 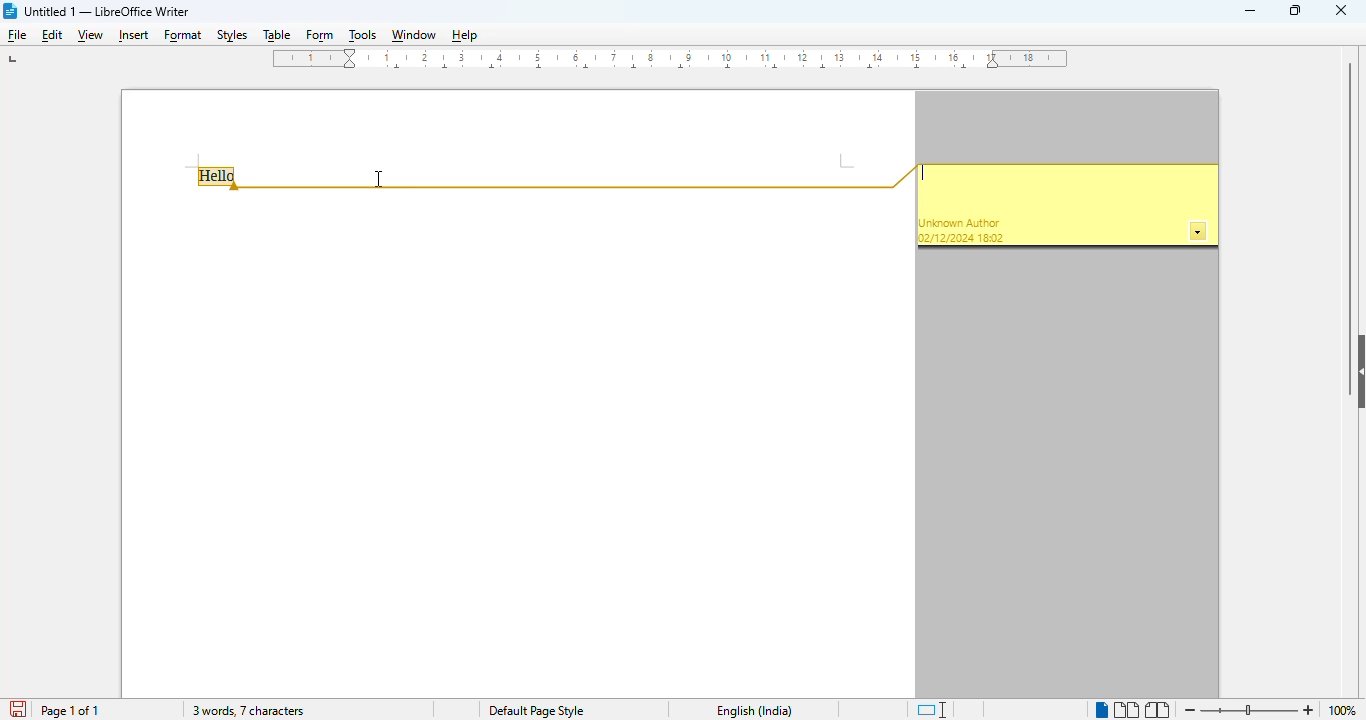 What do you see at coordinates (18, 36) in the screenshot?
I see `file` at bounding box center [18, 36].